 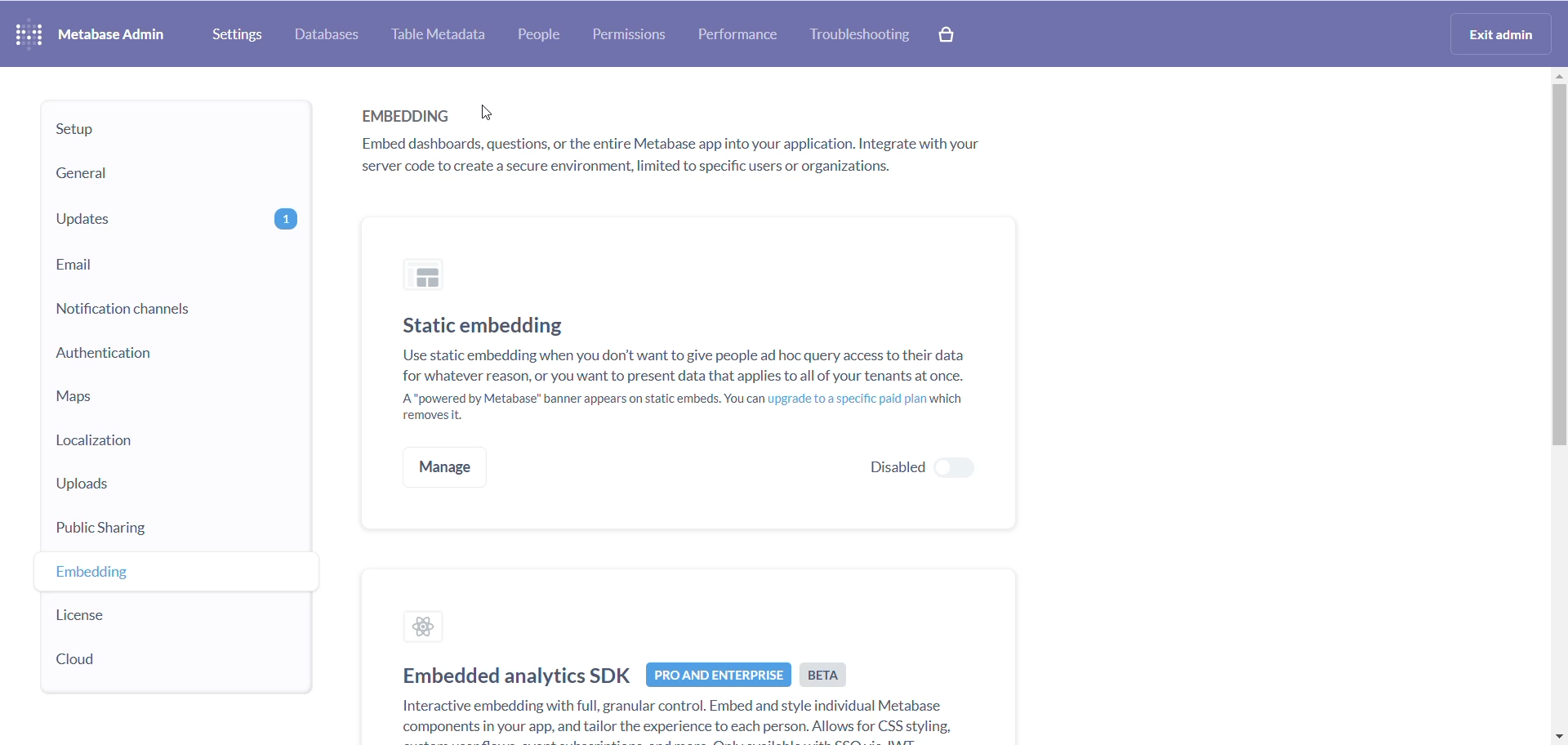 What do you see at coordinates (153, 401) in the screenshot?
I see `maps` at bounding box center [153, 401].